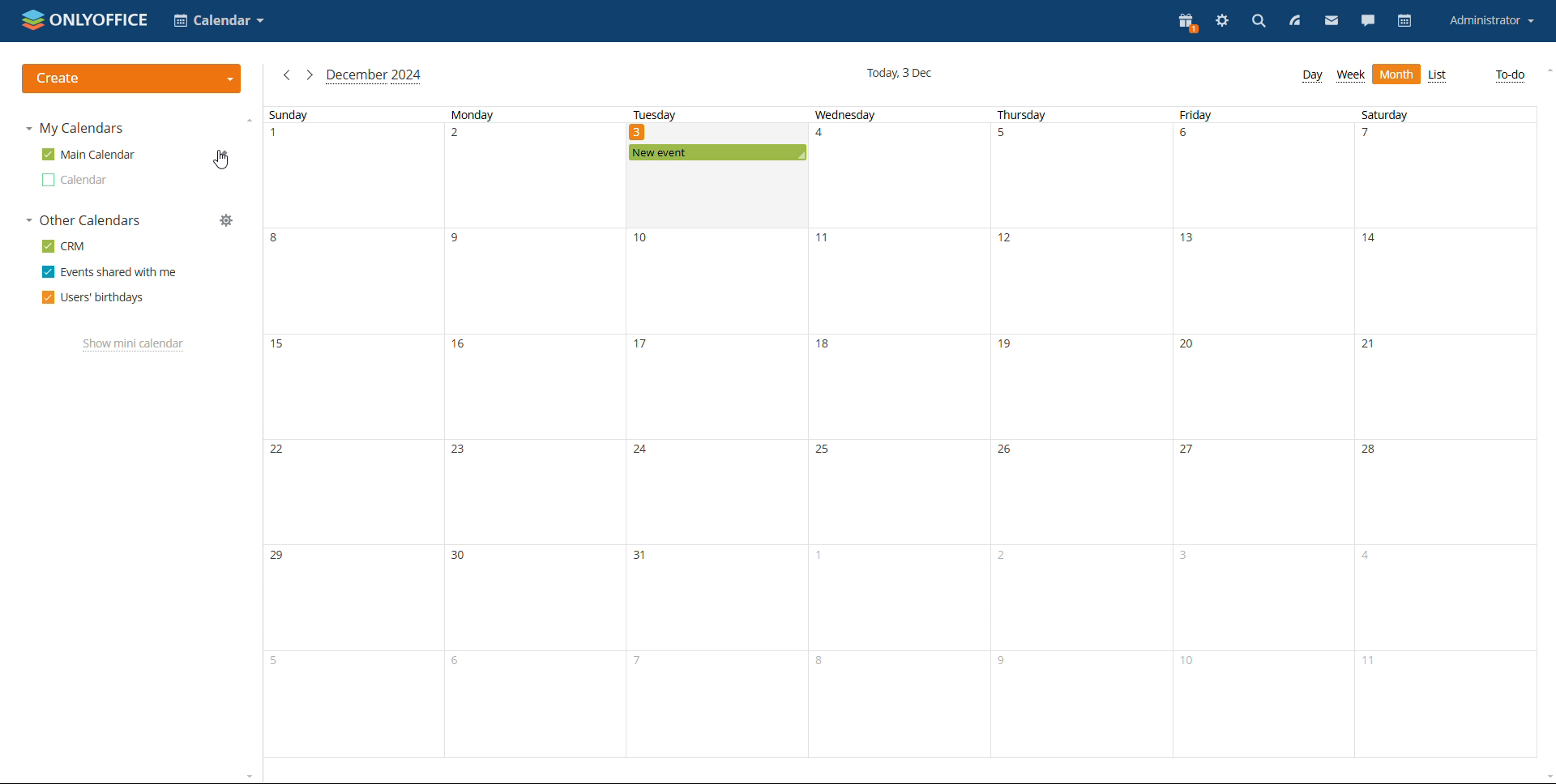 The height and width of the screenshot is (784, 1556). What do you see at coordinates (284, 75) in the screenshot?
I see `previous month` at bounding box center [284, 75].